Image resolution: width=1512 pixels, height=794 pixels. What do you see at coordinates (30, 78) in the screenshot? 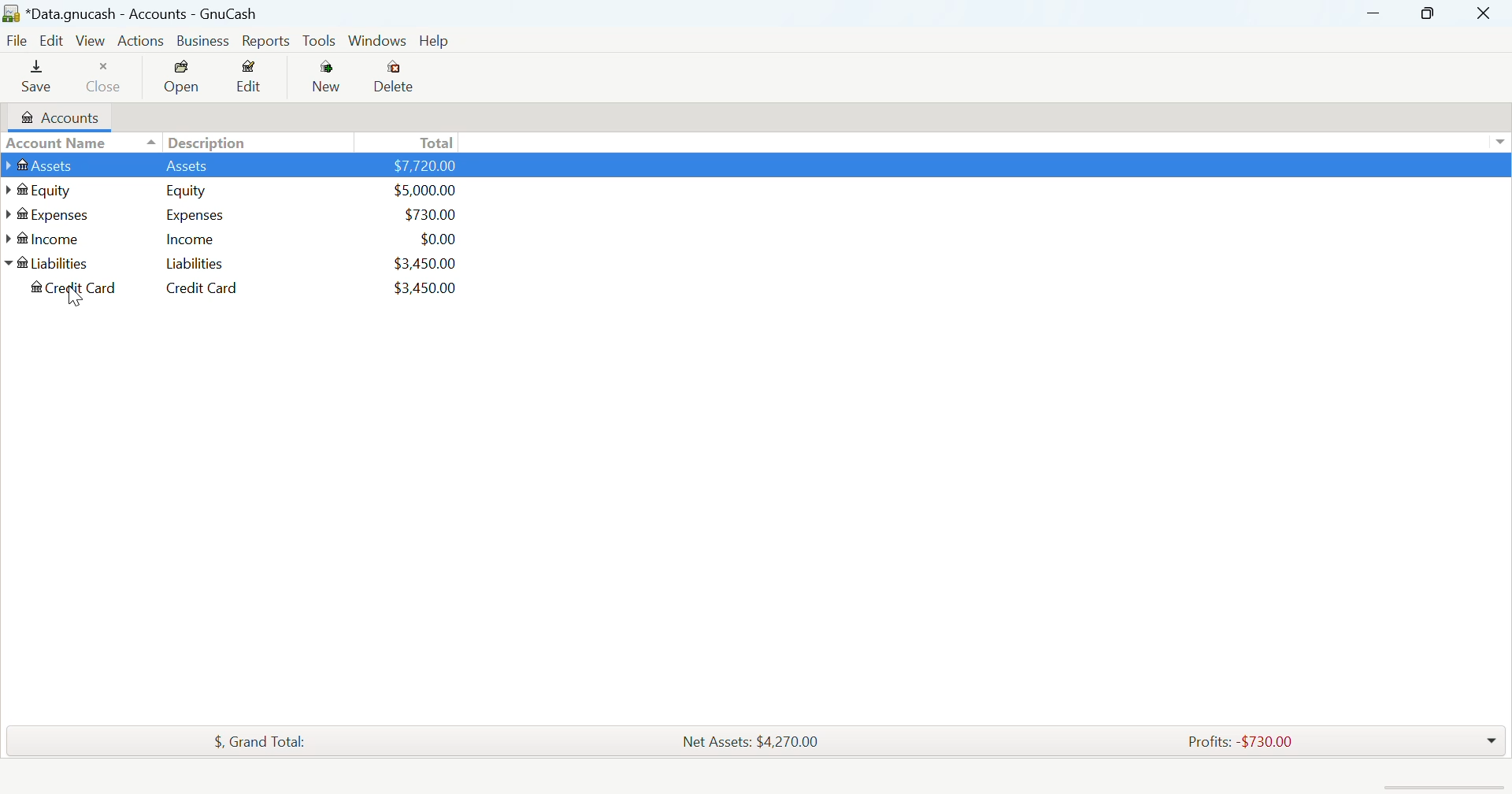
I see `Save` at bounding box center [30, 78].